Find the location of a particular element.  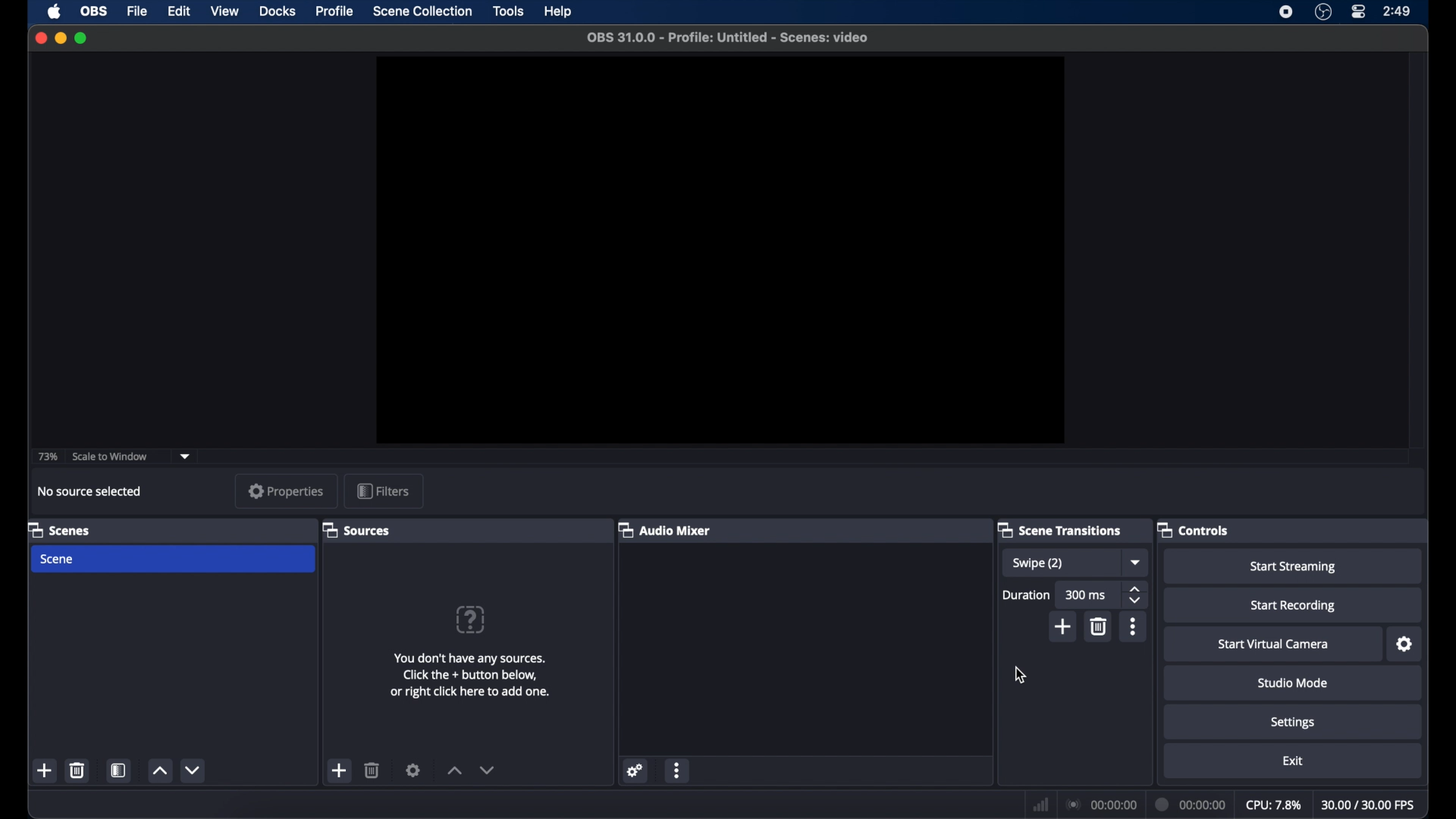

help is located at coordinates (560, 11).